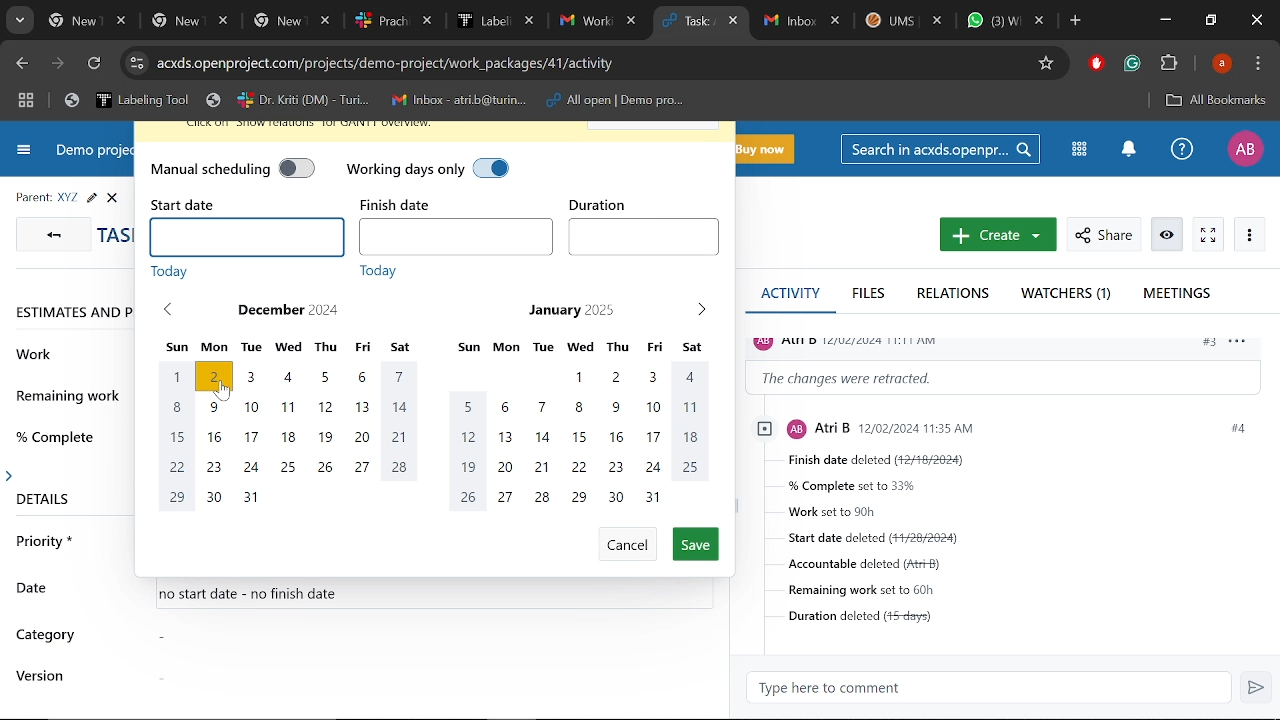  Describe the element at coordinates (68, 198) in the screenshot. I see `Parent task` at that location.